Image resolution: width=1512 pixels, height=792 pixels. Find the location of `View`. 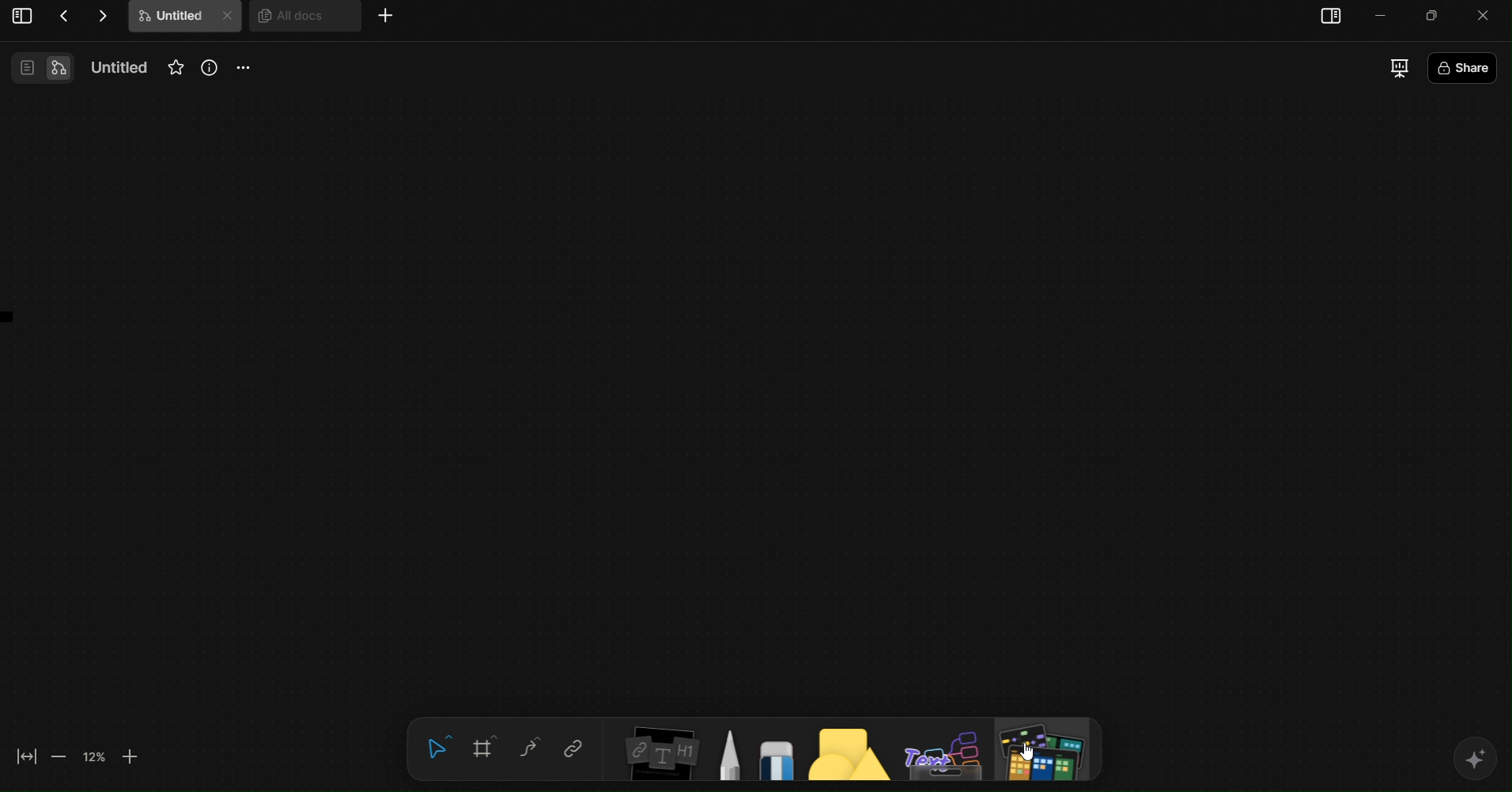

View is located at coordinates (21, 18).